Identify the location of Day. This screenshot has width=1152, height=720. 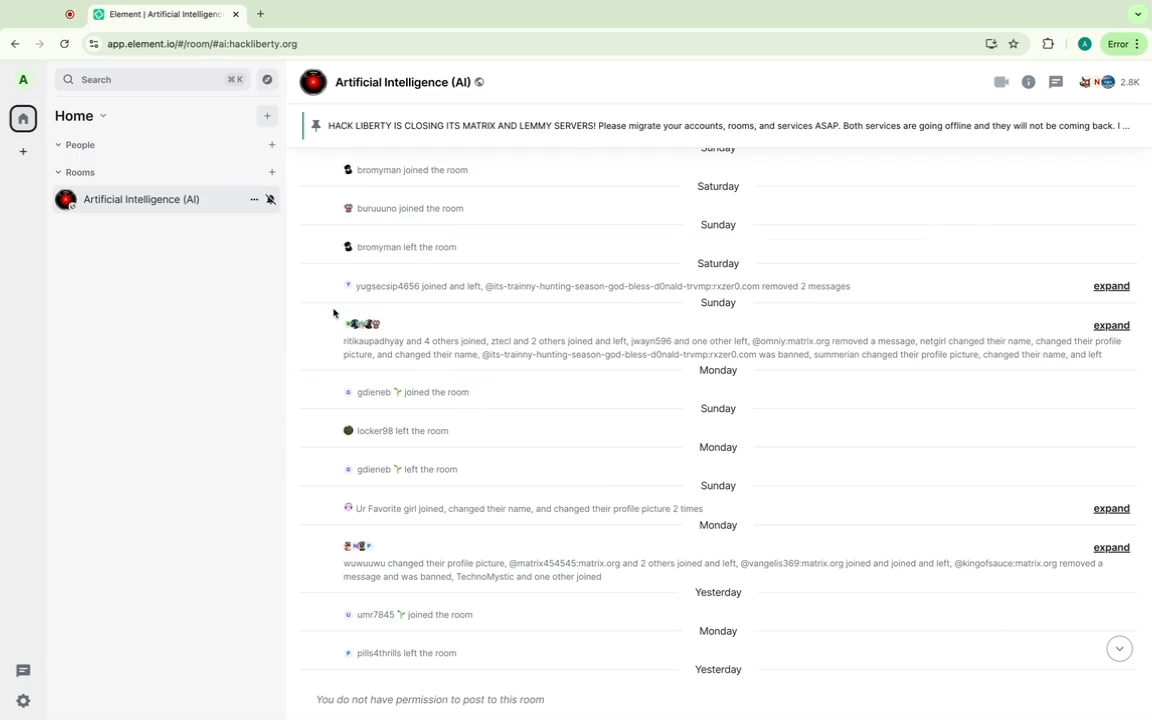
(717, 449).